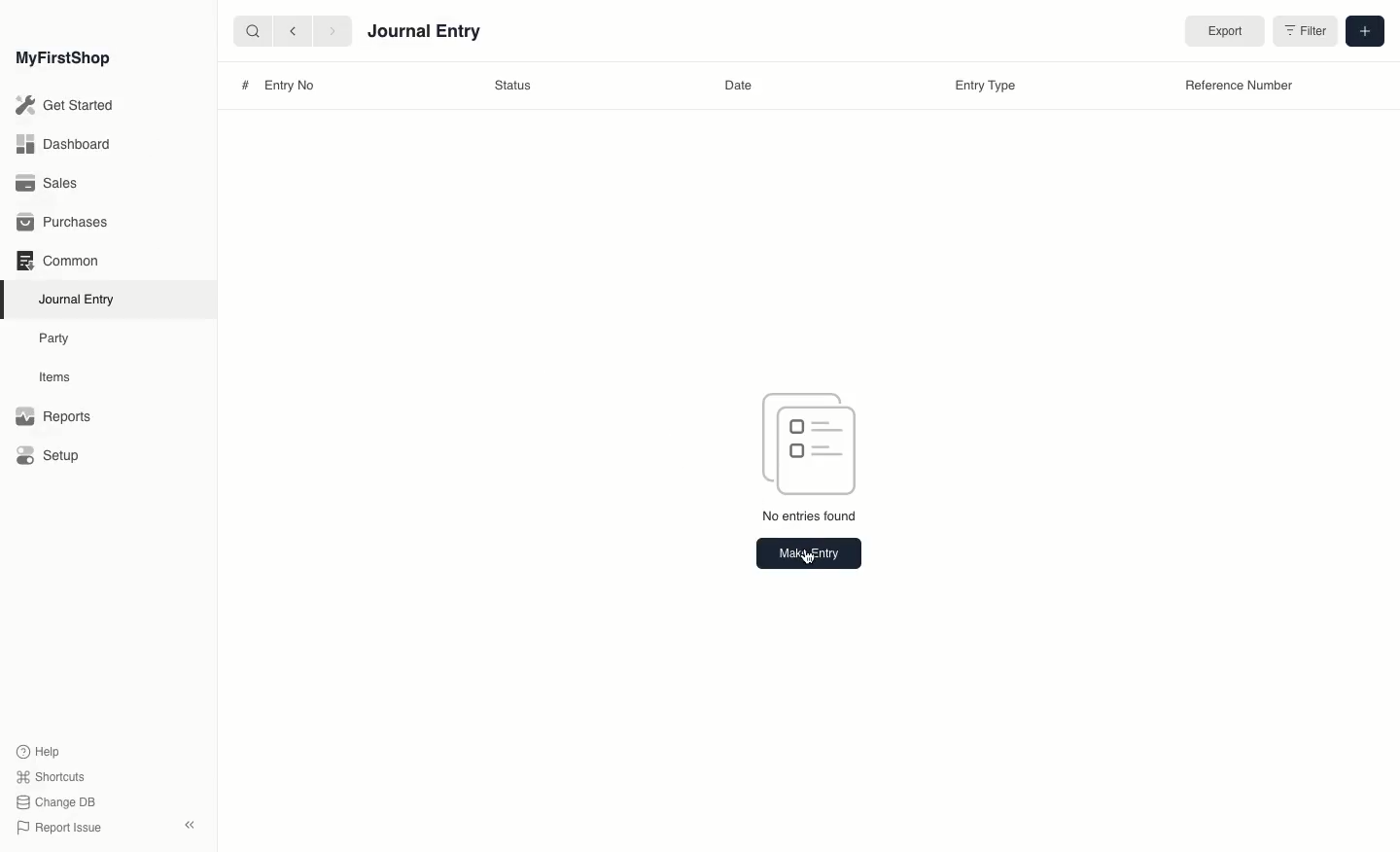  What do you see at coordinates (52, 417) in the screenshot?
I see `Reports` at bounding box center [52, 417].